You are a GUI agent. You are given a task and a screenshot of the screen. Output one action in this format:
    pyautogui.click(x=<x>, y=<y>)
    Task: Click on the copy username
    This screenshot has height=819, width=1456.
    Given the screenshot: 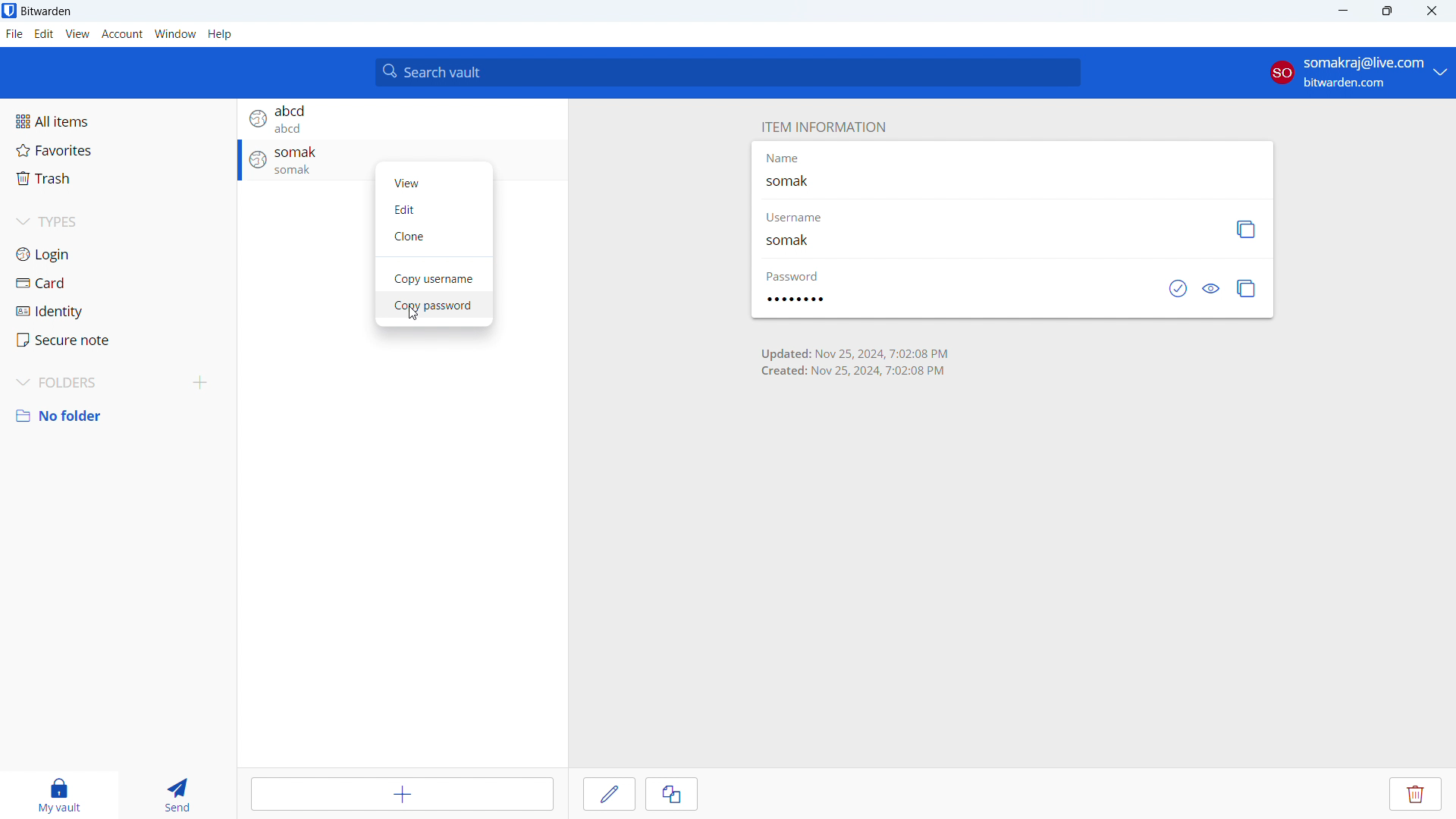 What is the action you would take?
    pyautogui.click(x=1247, y=230)
    